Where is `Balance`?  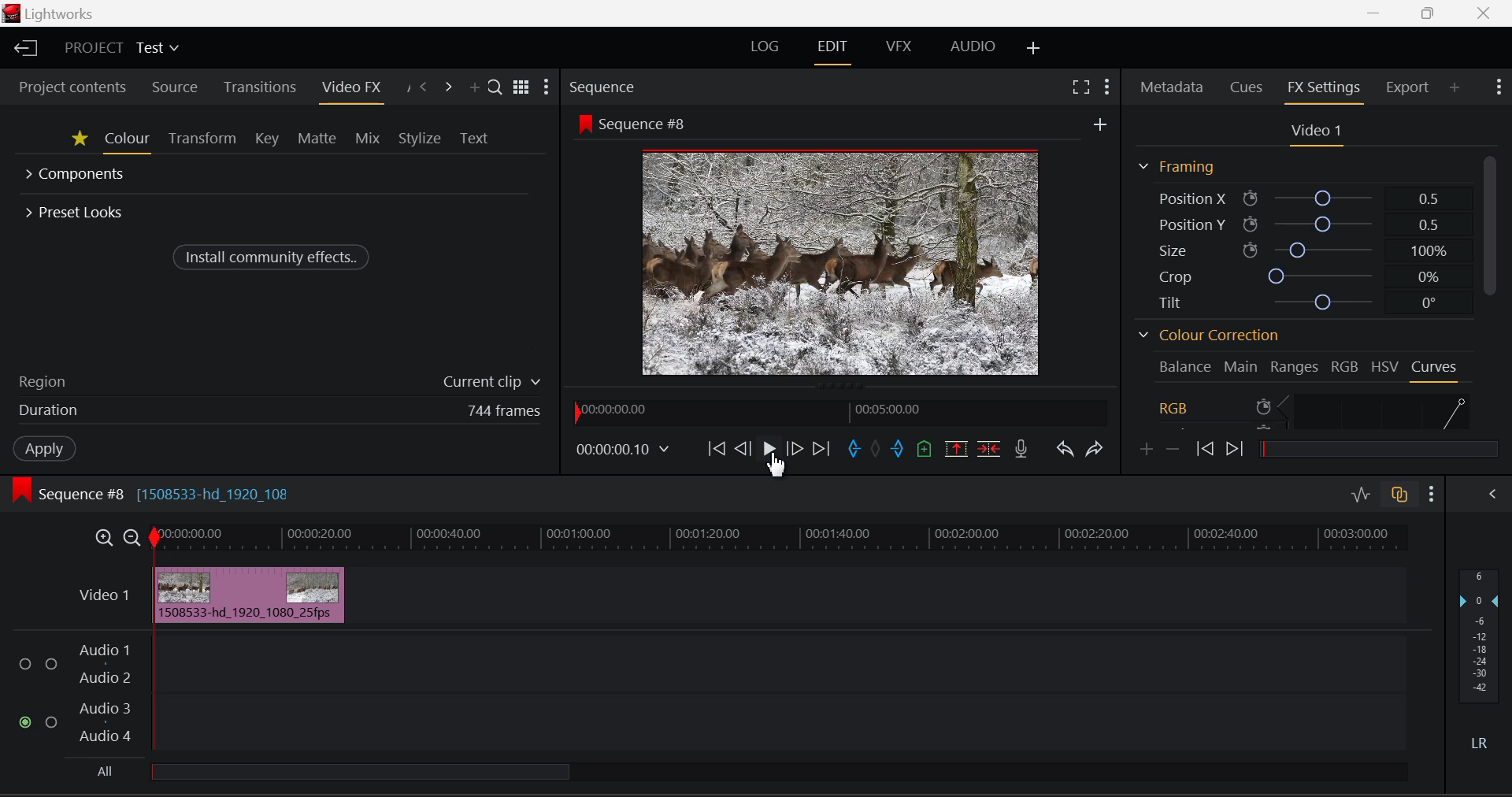
Balance is located at coordinates (1184, 366).